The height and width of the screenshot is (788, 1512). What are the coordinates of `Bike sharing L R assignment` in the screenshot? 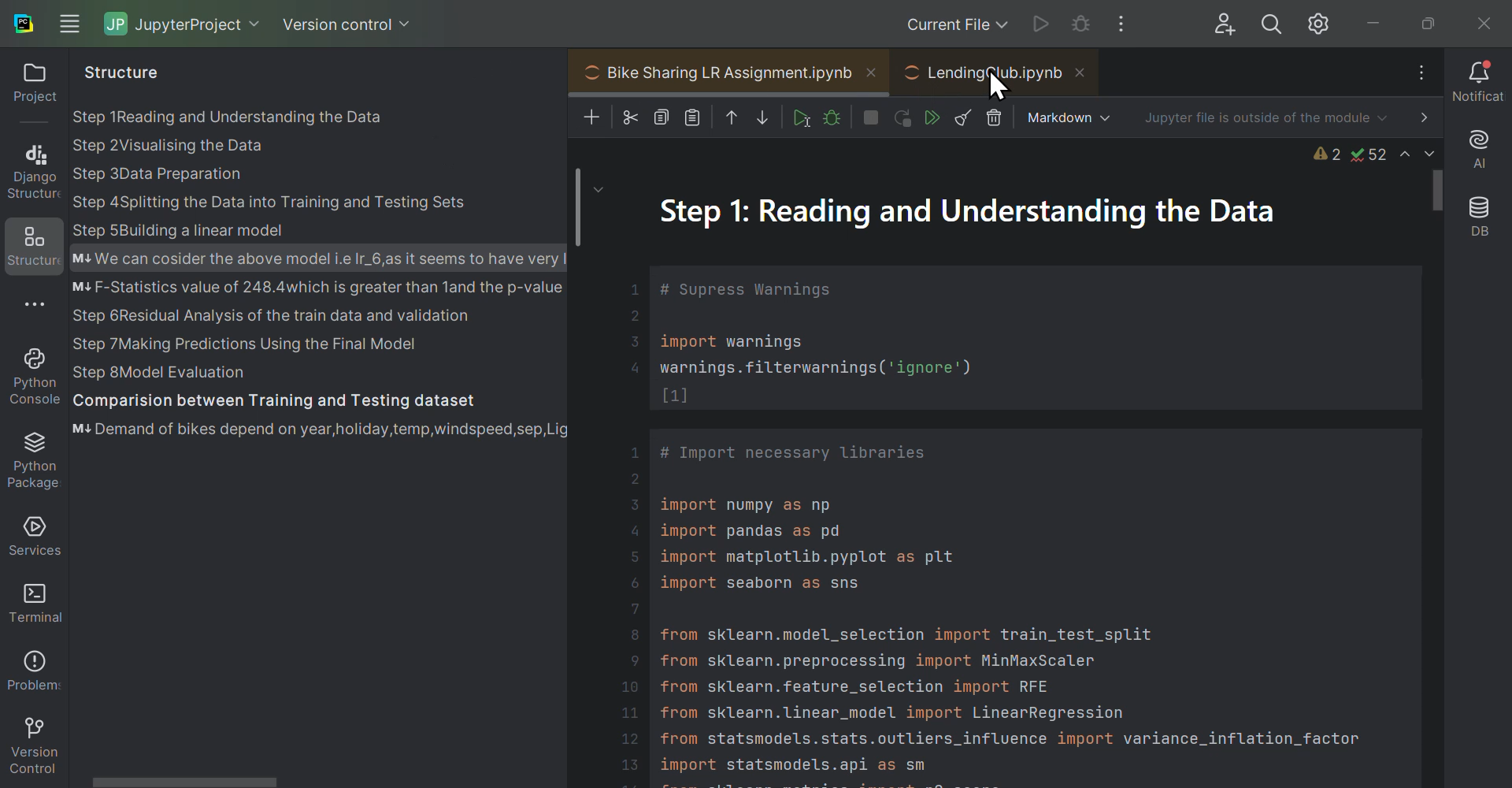 It's located at (993, 485).